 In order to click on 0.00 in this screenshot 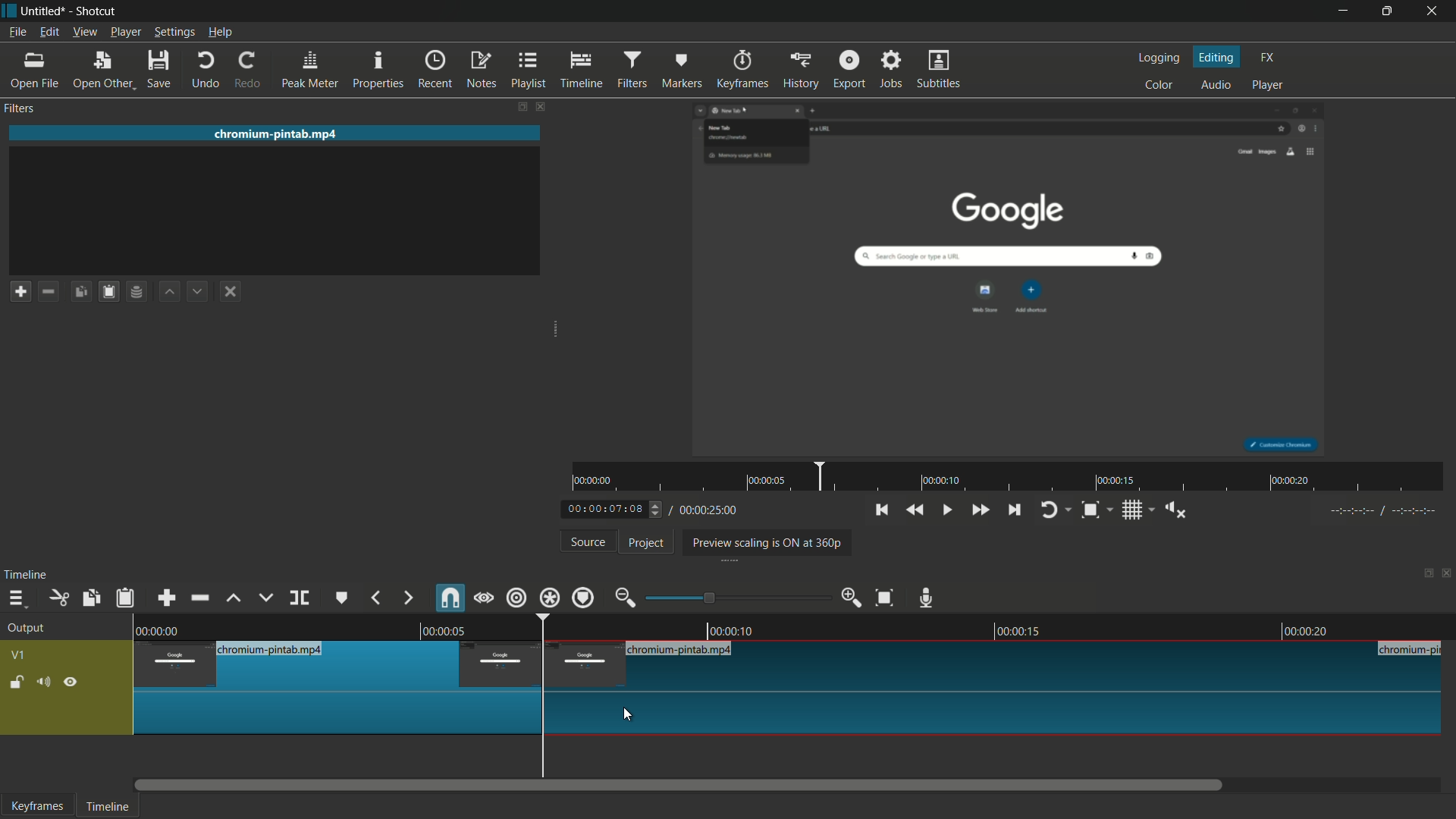, I will do `click(162, 629)`.